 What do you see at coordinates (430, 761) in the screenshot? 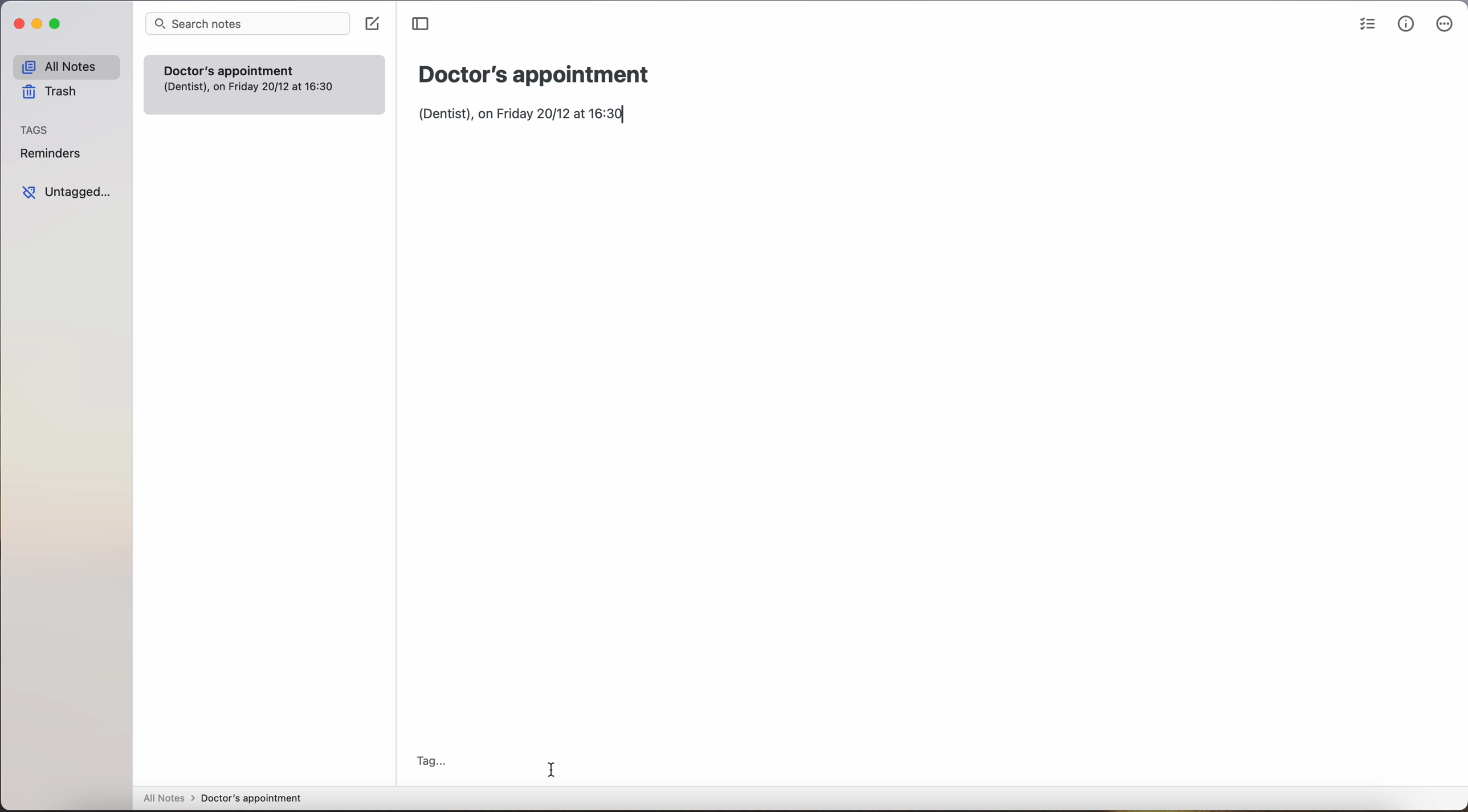
I see `tag` at bounding box center [430, 761].